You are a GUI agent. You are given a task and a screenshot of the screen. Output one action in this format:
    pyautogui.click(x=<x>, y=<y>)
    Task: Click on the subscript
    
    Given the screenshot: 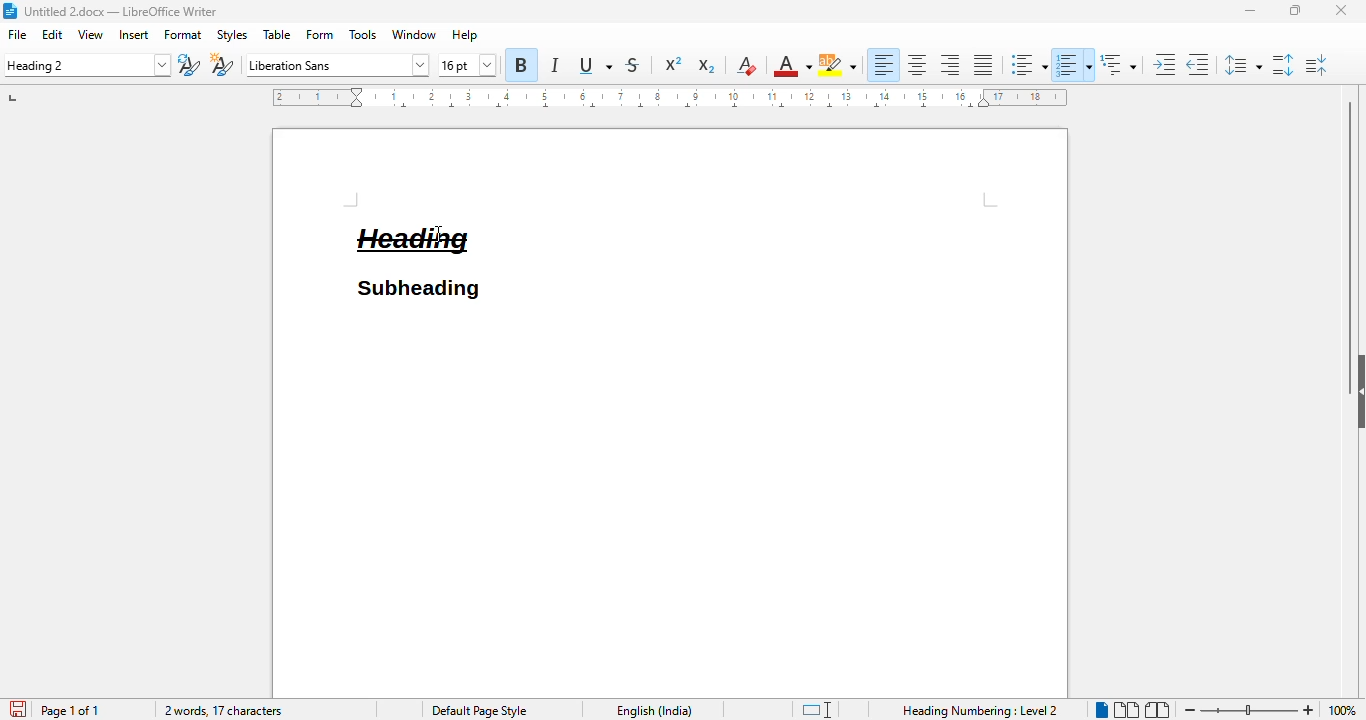 What is the action you would take?
    pyautogui.click(x=705, y=66)
    